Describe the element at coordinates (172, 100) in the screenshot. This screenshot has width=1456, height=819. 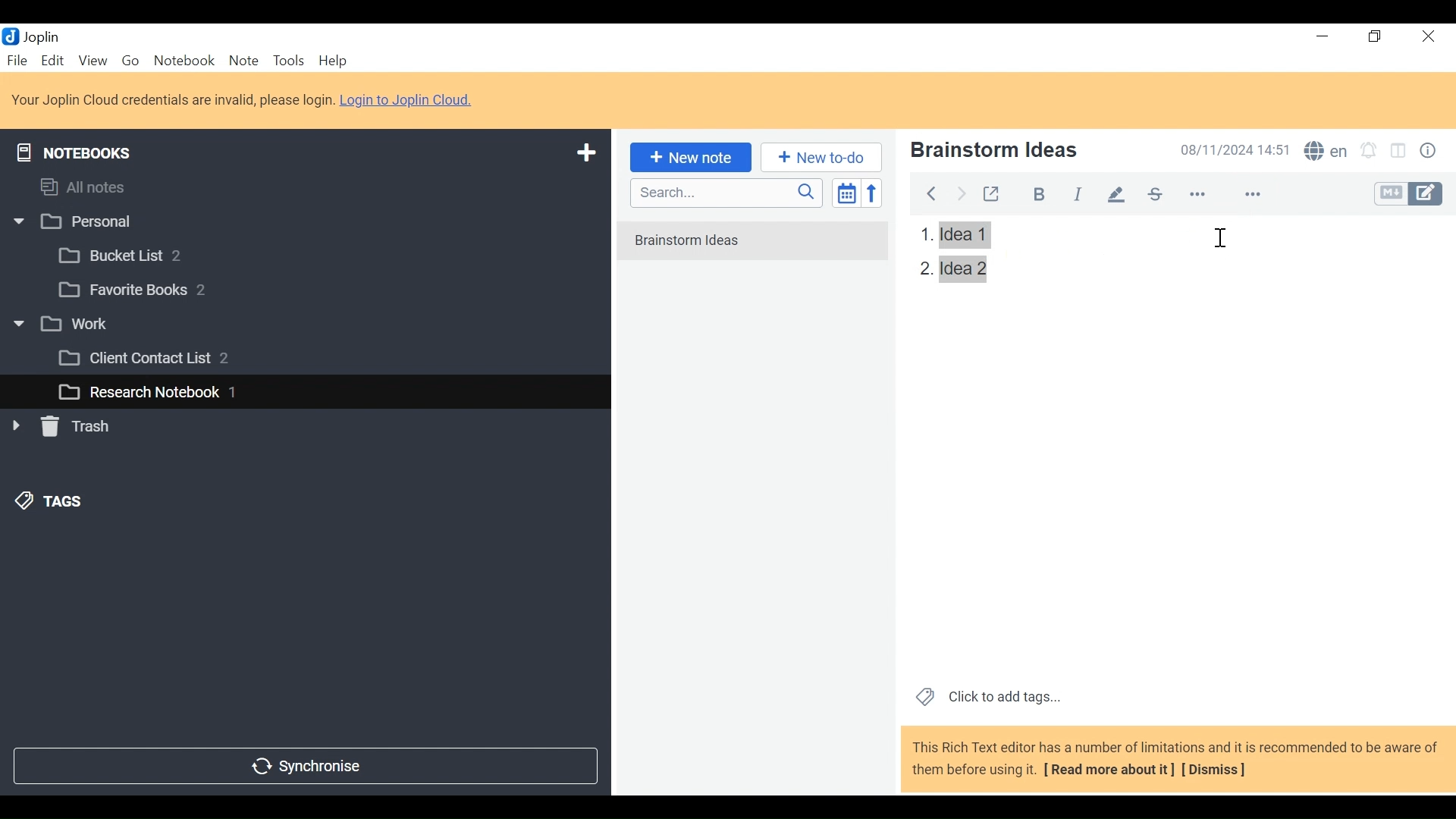
I see `Login to Joplin Cloud` at that location.